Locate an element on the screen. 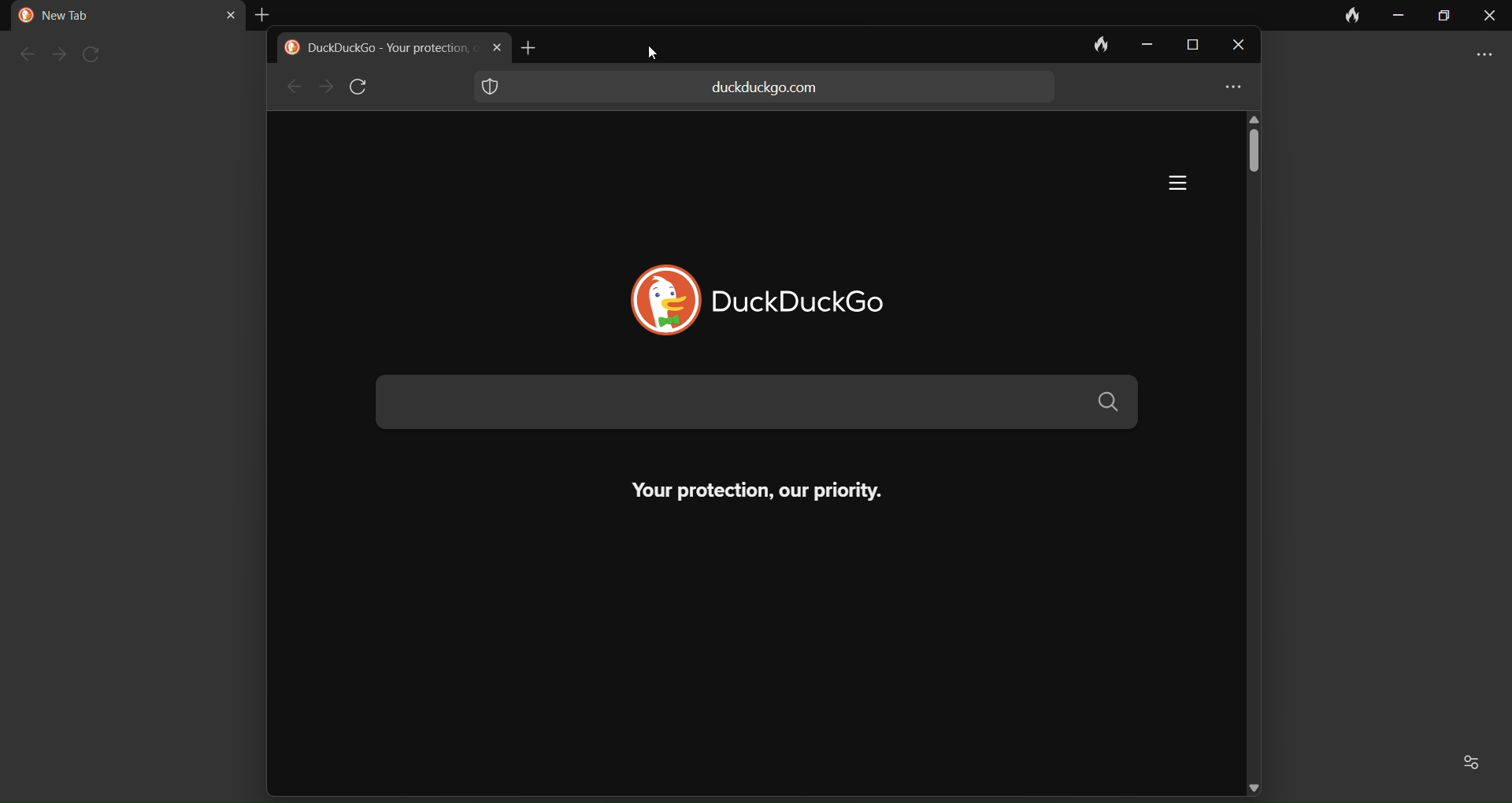 The image size is (1512, 803). clear data is located at coordinates (1091, 44).